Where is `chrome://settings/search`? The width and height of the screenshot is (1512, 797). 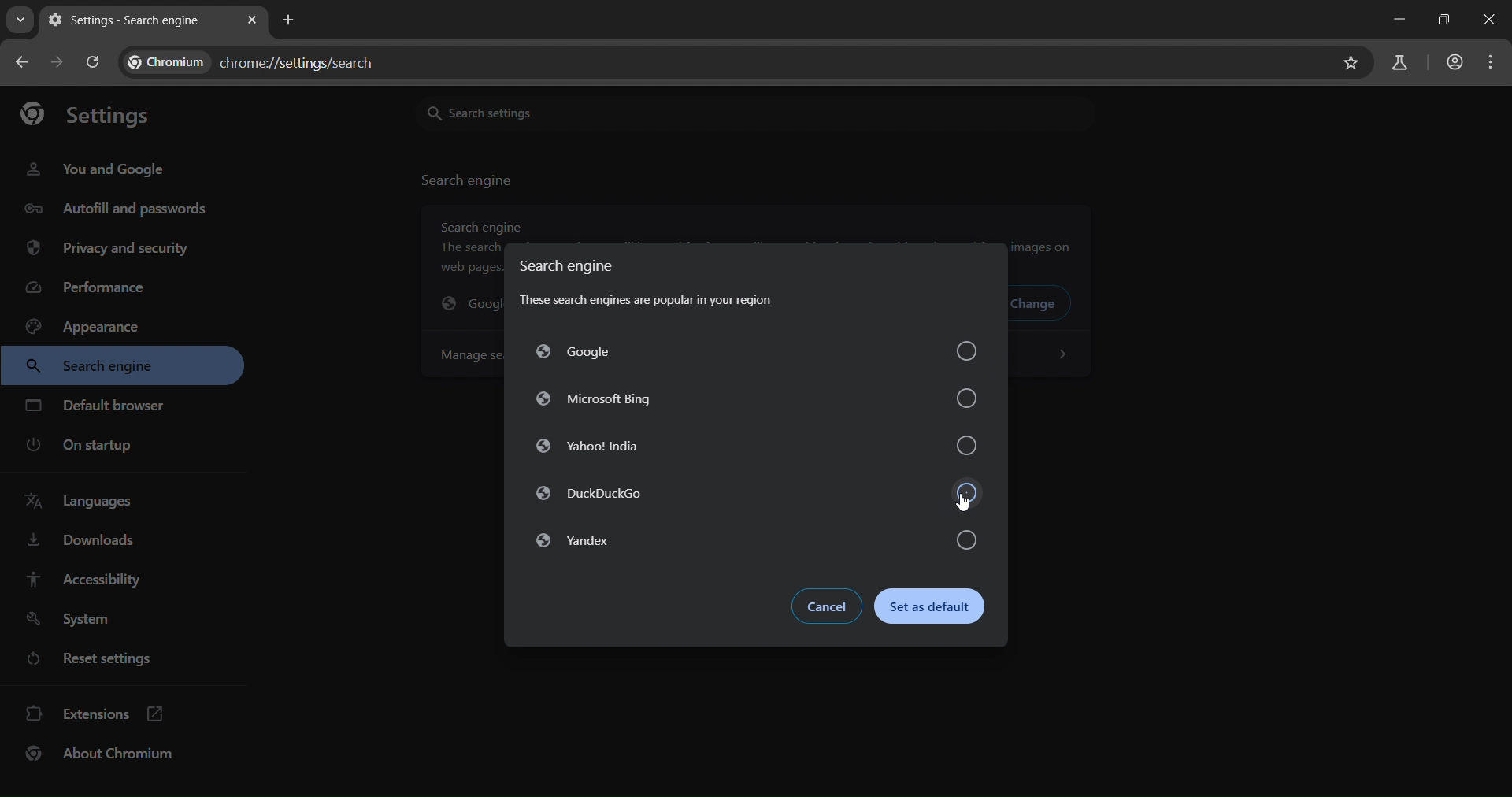 chrome://settings/search is located at coordinates (261, 59).